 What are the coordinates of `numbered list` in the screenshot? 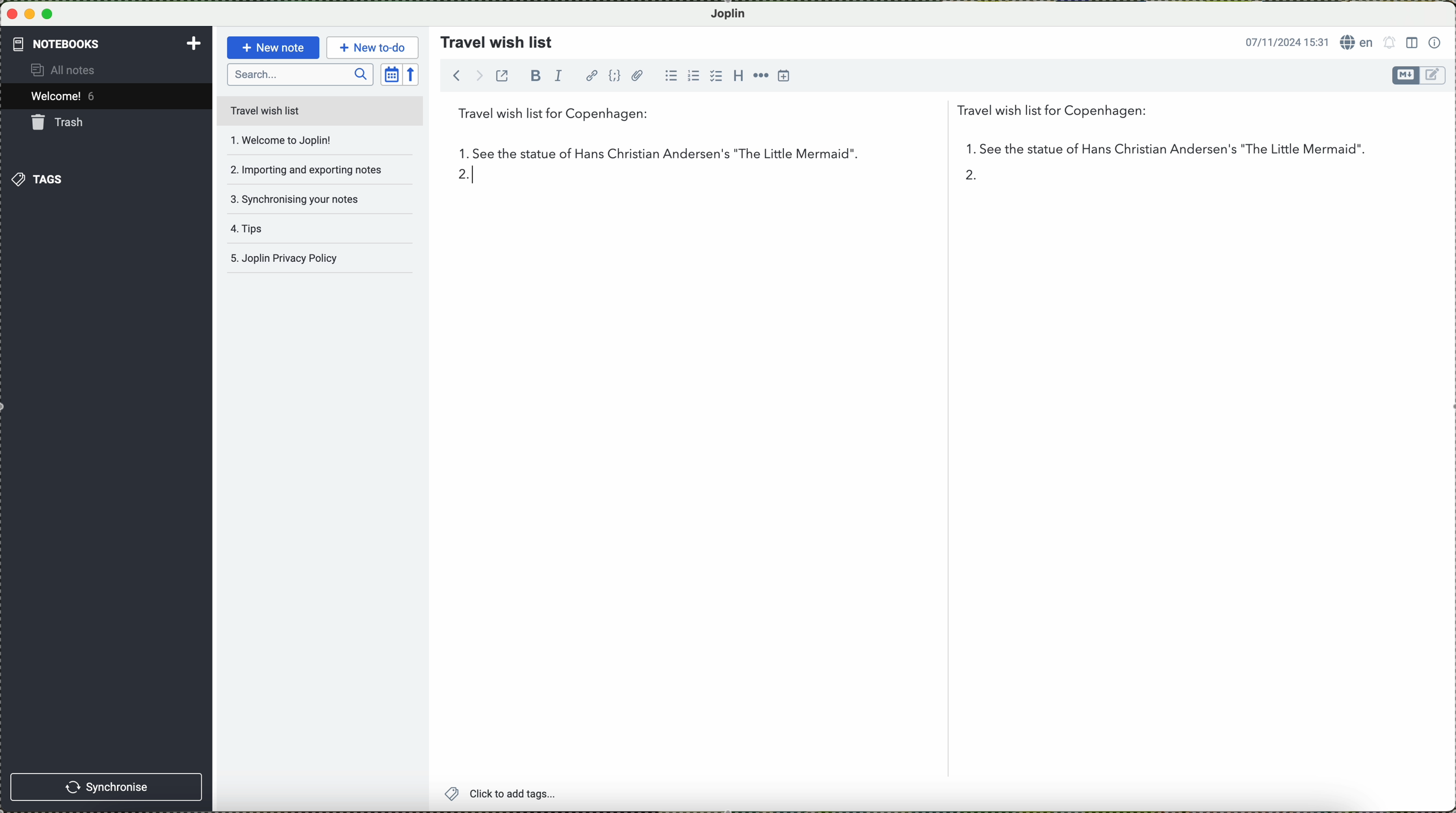 It's located at (693, 71).